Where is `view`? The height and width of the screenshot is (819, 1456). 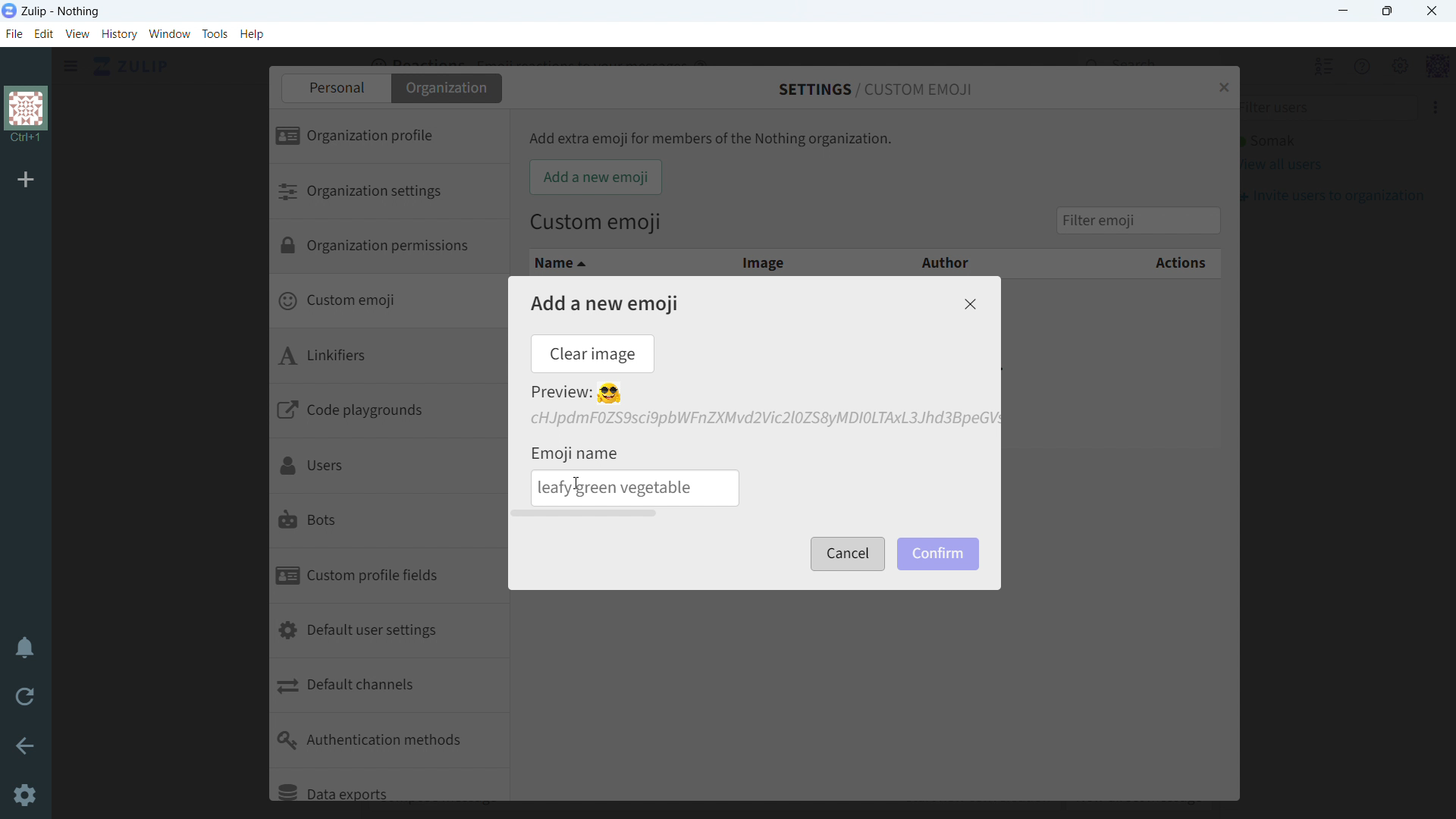
view is located at coordinates (78, 34).